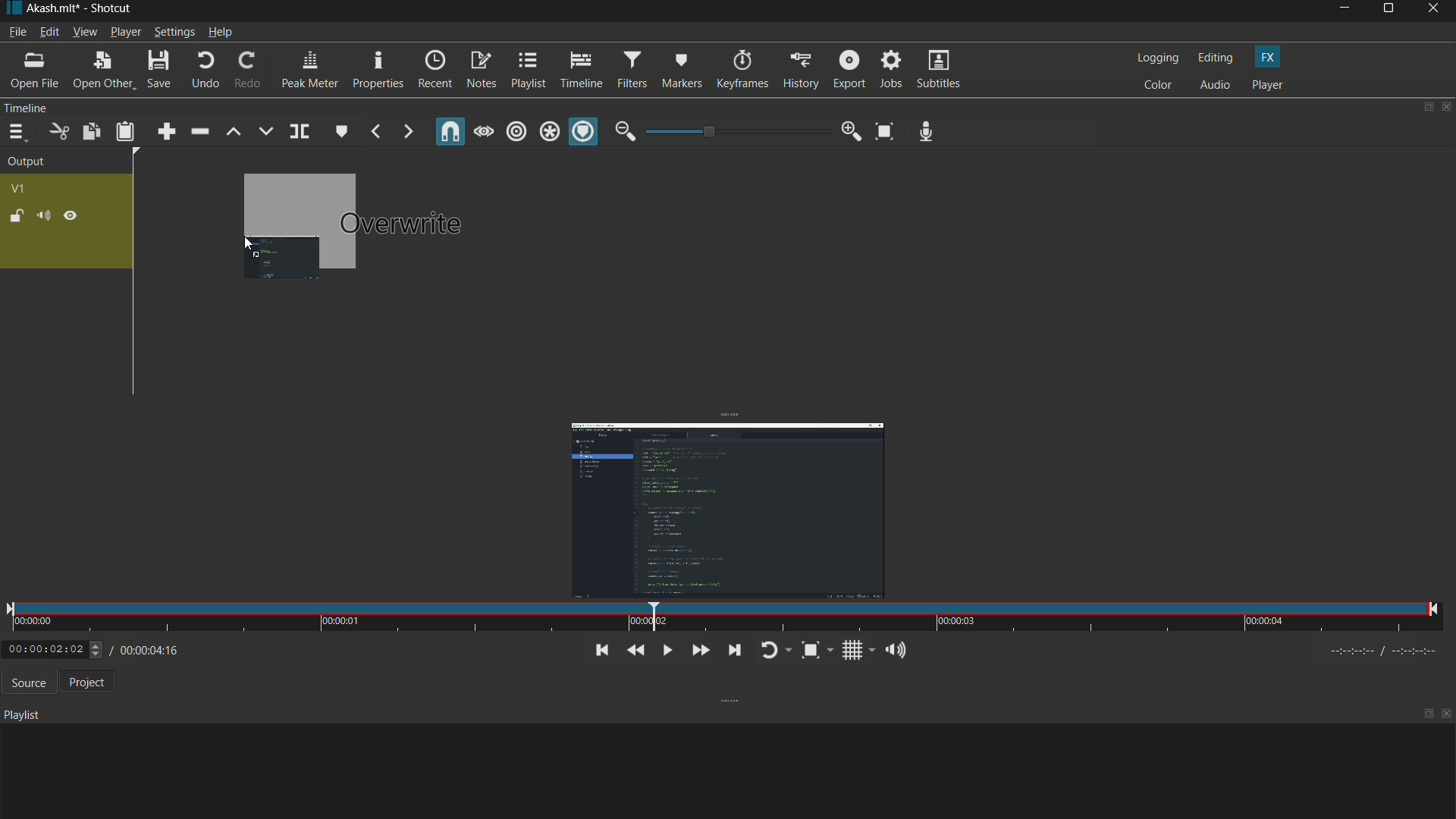  What do you see at coordinates (376, 70) in the screenshot?
I see `properties` at bounding box center [376, 70].